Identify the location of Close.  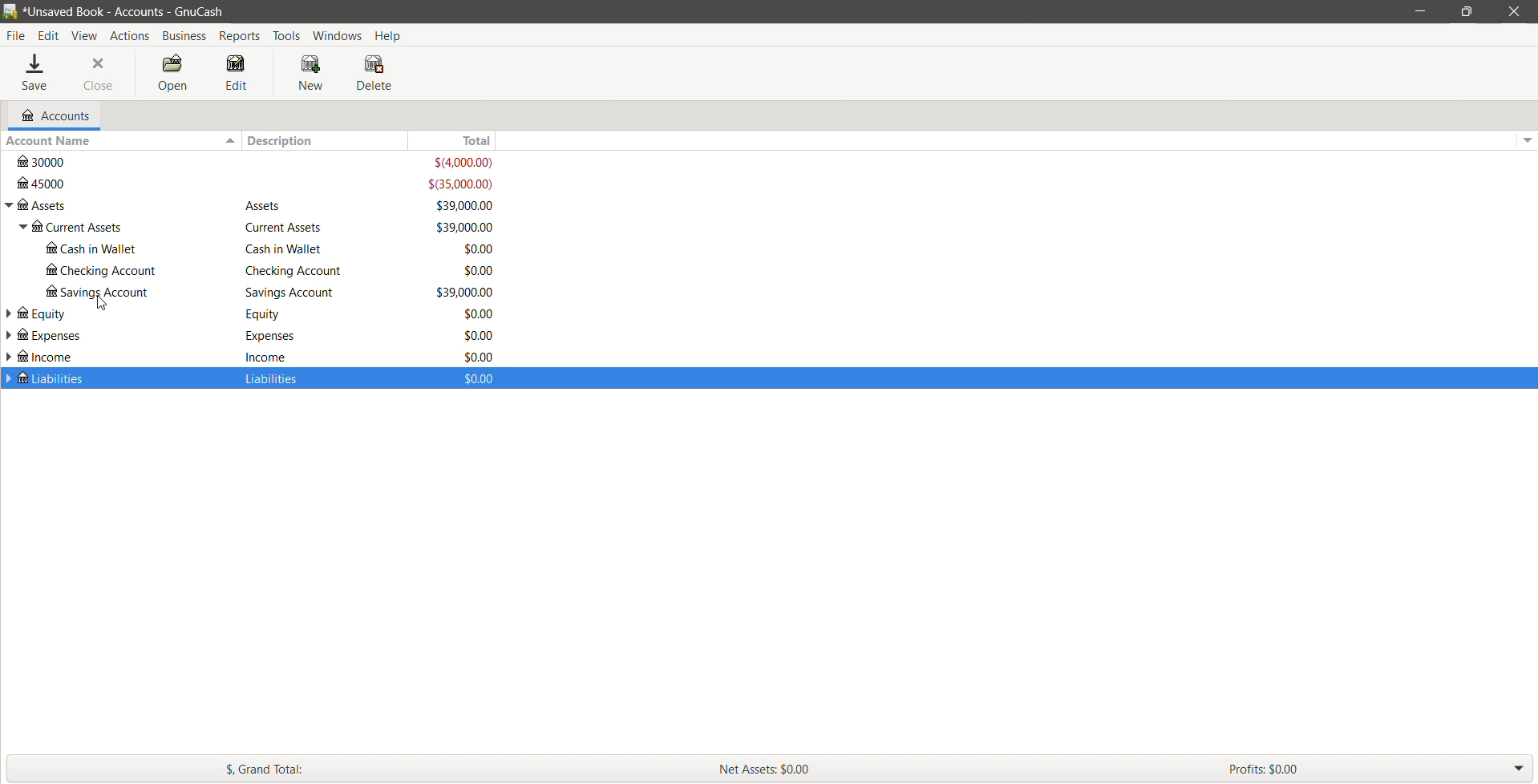
(97, 72).